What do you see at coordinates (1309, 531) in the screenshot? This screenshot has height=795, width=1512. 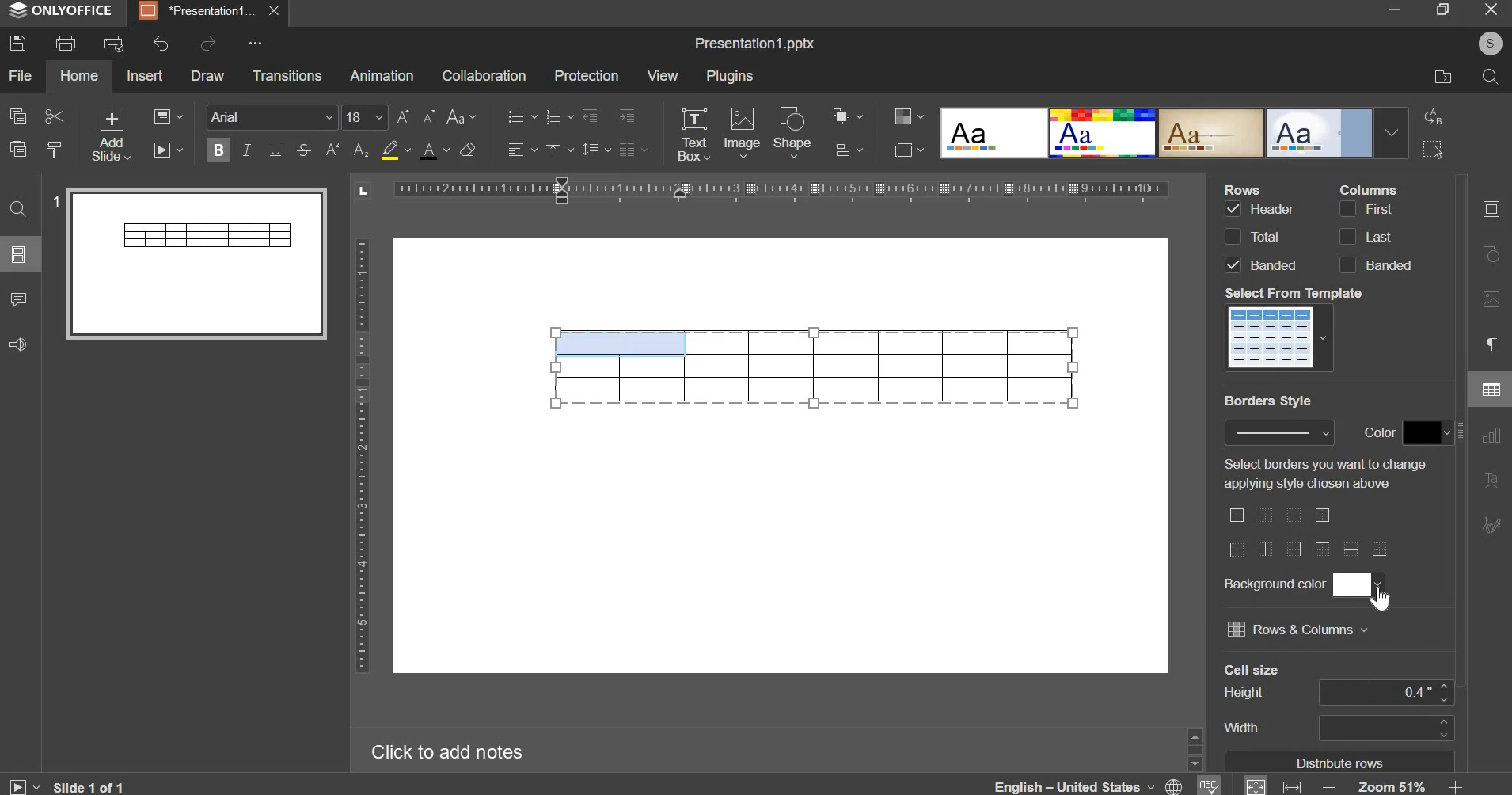 I see `border style` at bounding box center [1309, 531].